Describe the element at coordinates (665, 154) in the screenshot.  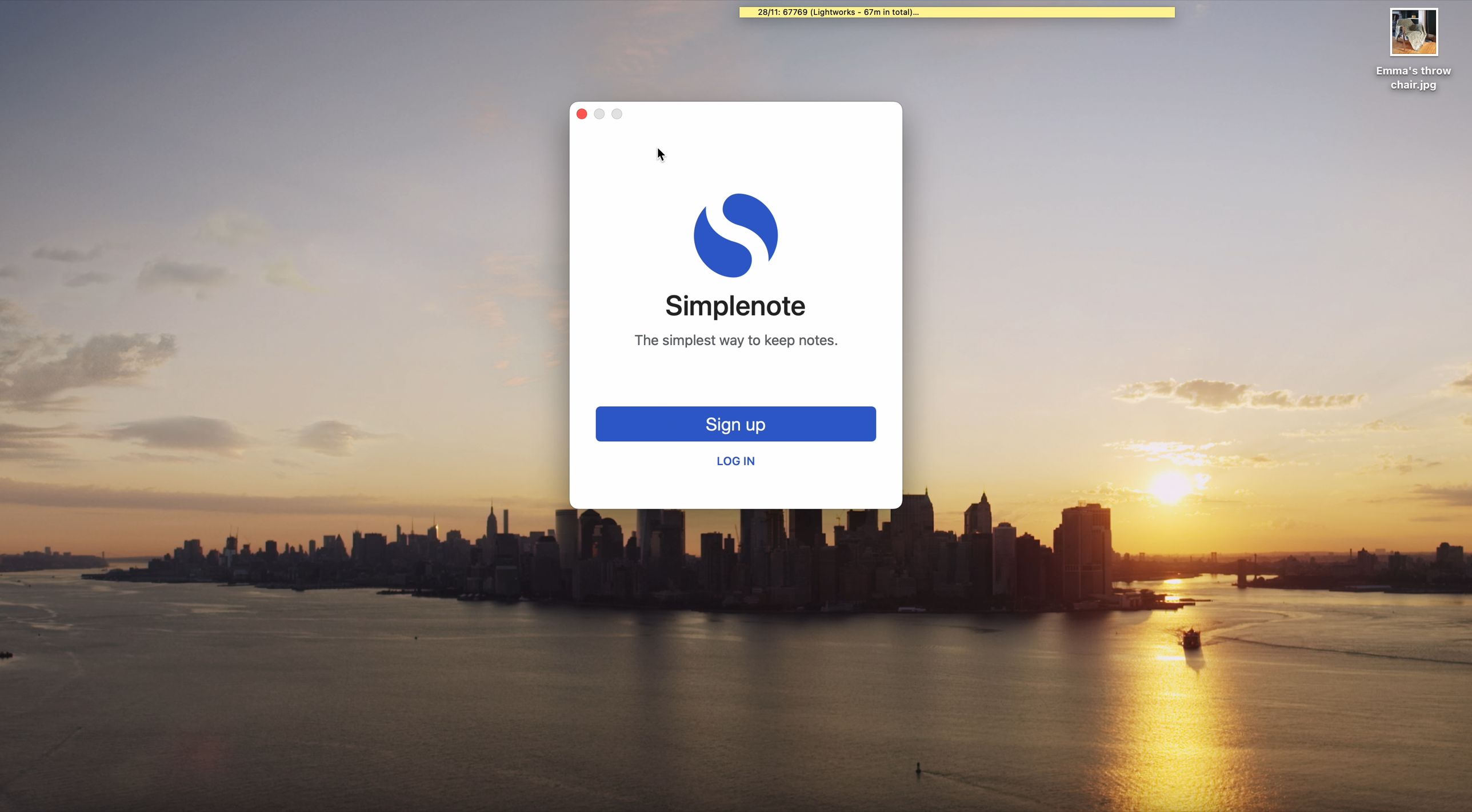
I see `cursor` at that location.